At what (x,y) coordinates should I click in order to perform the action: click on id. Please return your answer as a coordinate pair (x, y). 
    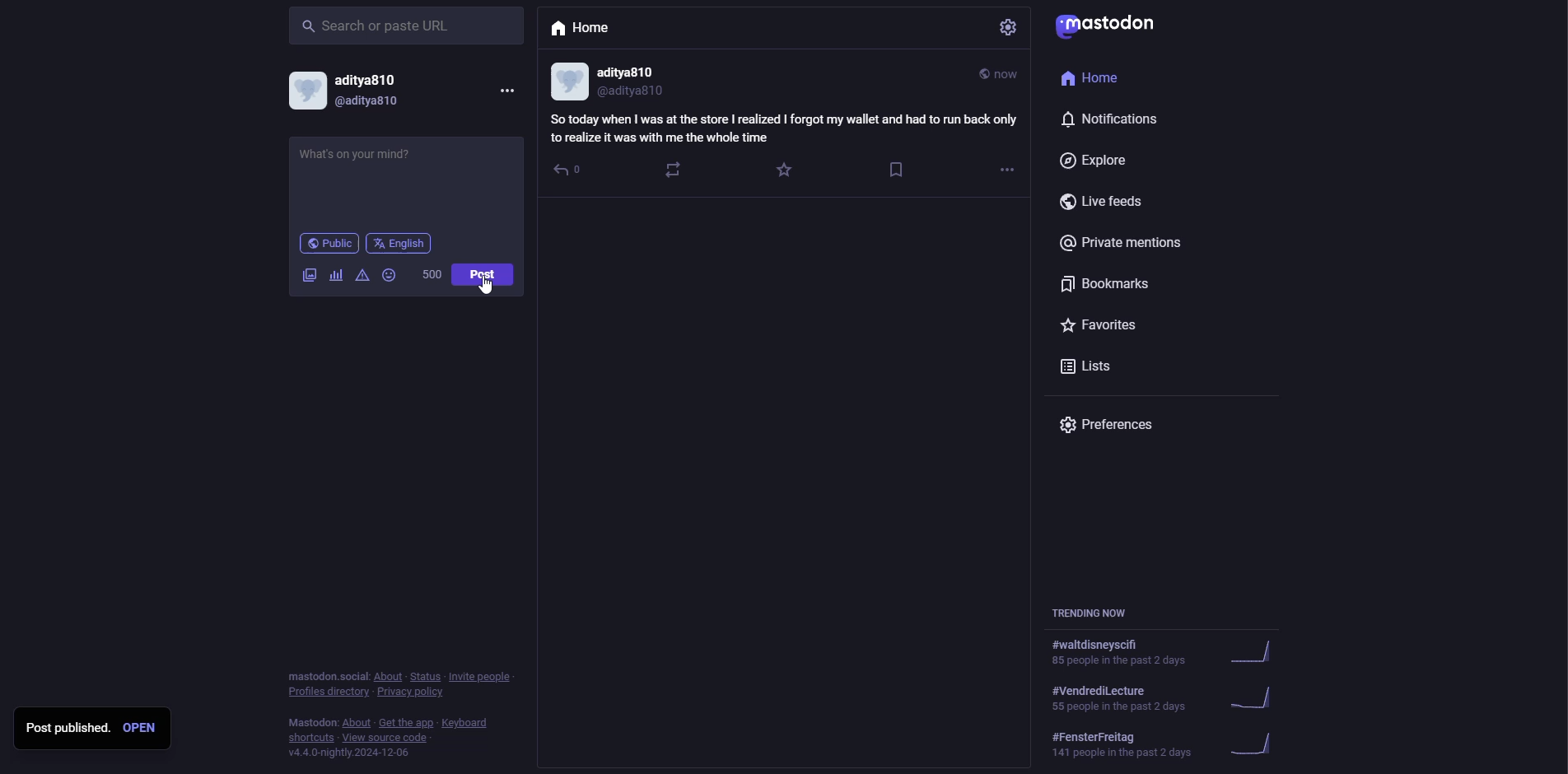
    Looking at the image, I should click on (616, 80).